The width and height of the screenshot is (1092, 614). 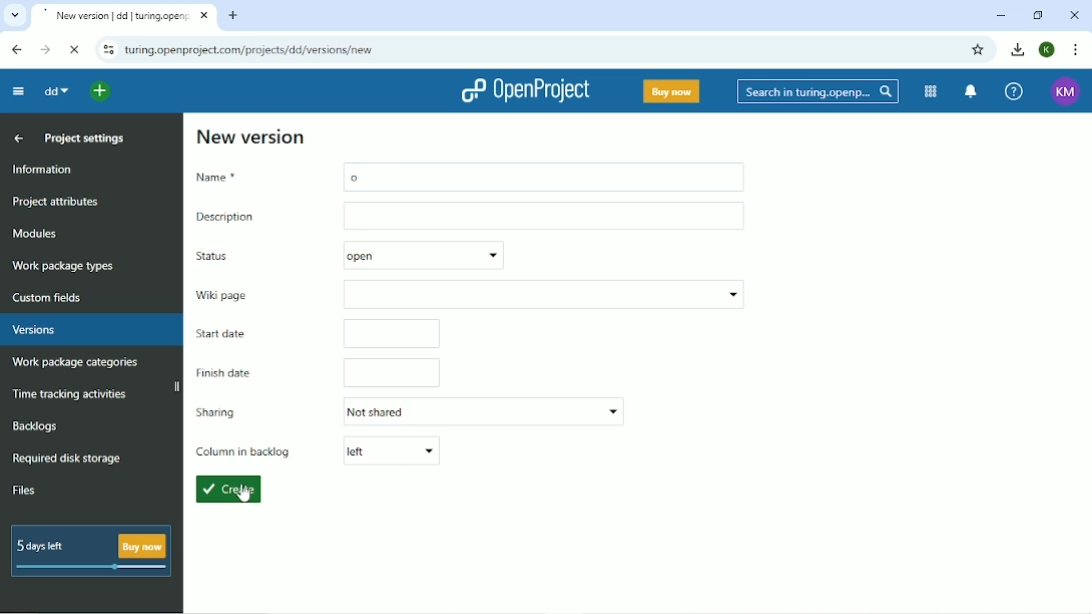 What do you see at coordinates (67, 459) in the screenshot?
I see `Required disk storage` at bounding box center [67, 459].